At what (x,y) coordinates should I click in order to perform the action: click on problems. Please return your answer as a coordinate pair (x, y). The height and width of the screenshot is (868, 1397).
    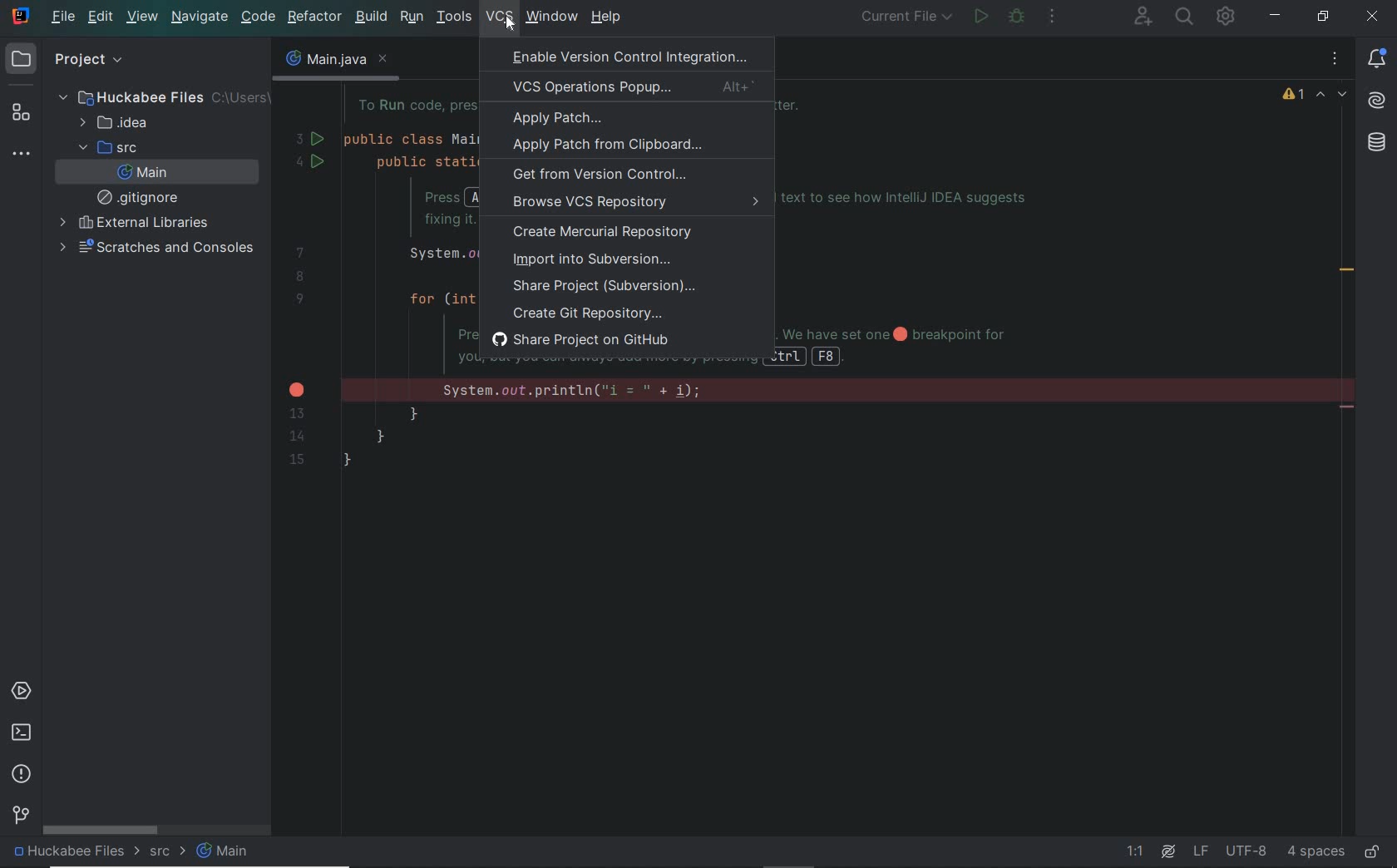
    Looking at the image, I should click on (22, 772).